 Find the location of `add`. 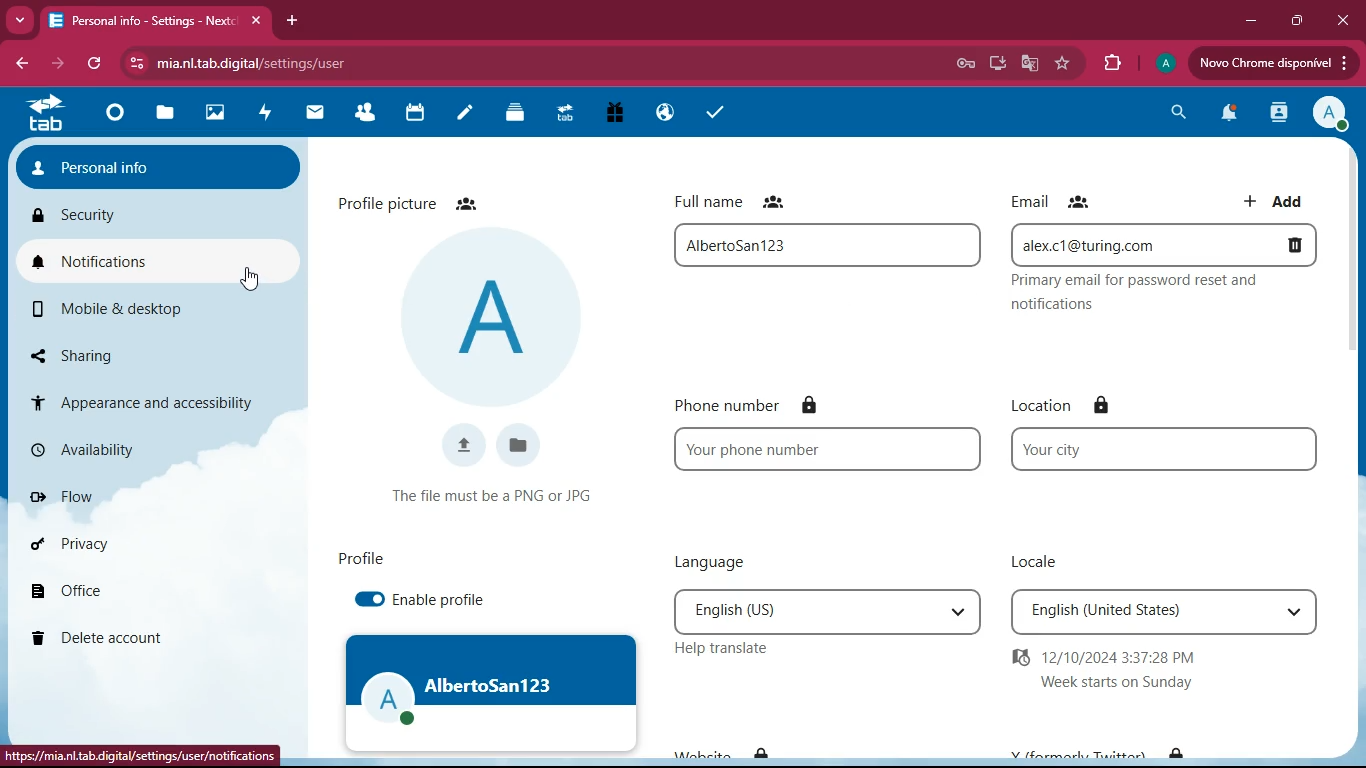

add is located at coordinates (1281, 200).